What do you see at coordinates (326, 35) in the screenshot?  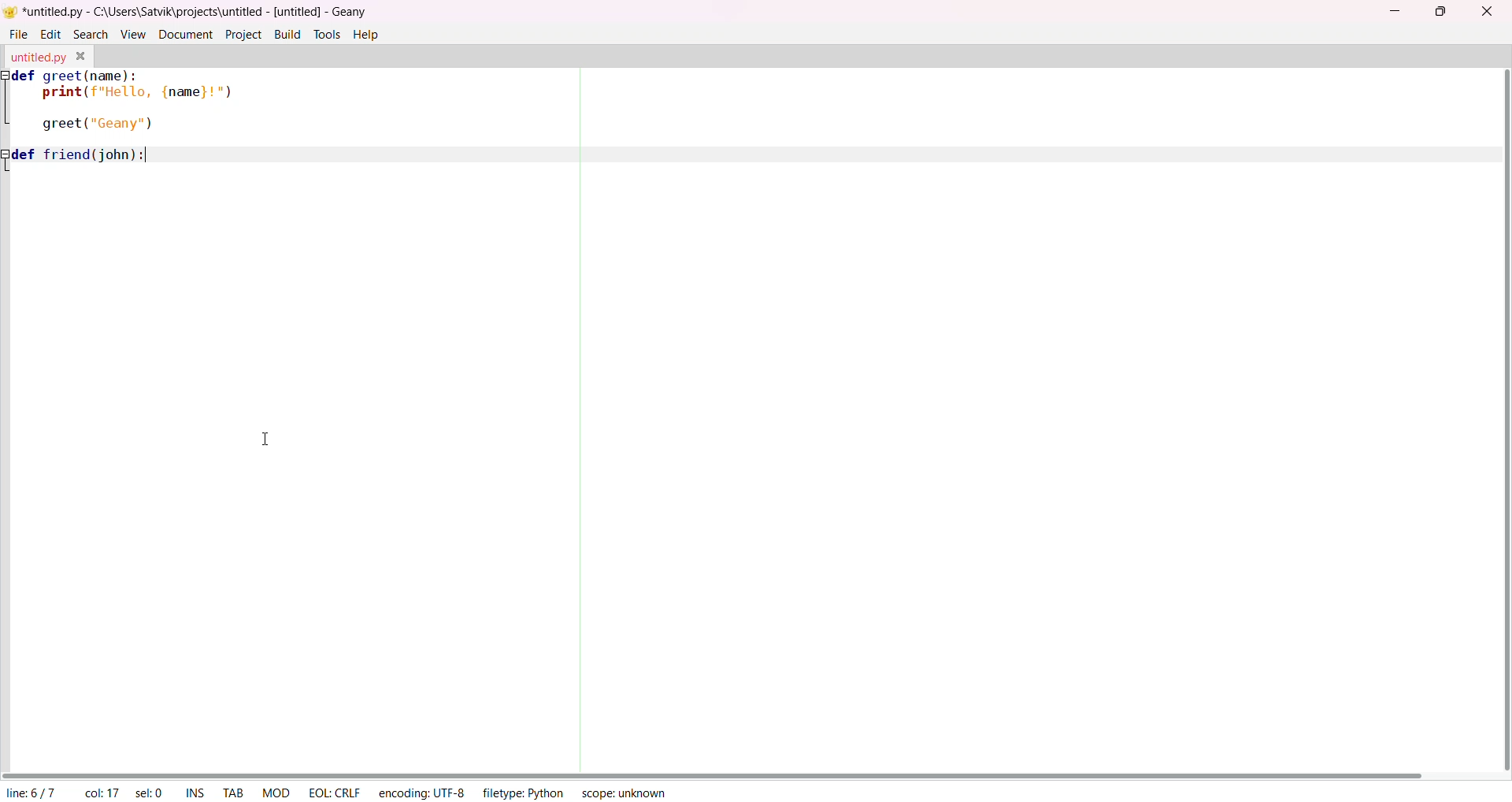 I see `tools` at bounding box center [326, 35].